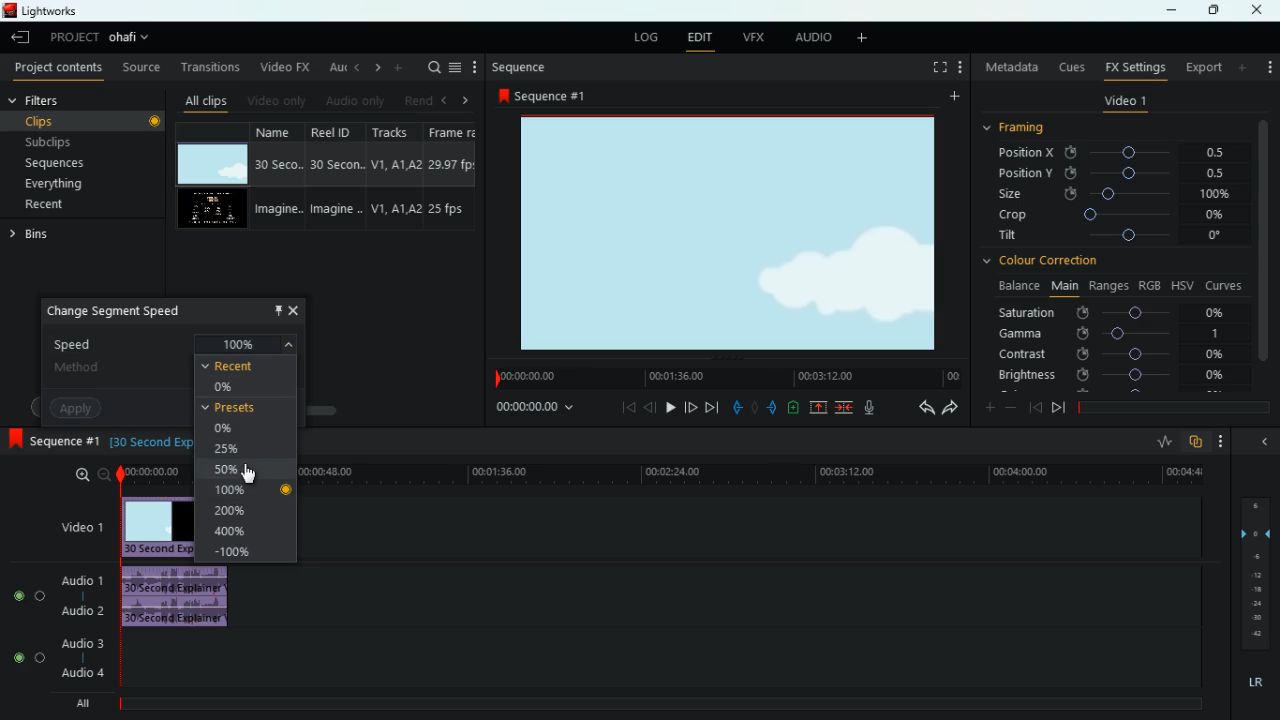 The width and height of the screenshot is (1280, 720). Describe the element at coordinates (148, 473) in the screenshot. I see `` at that location.